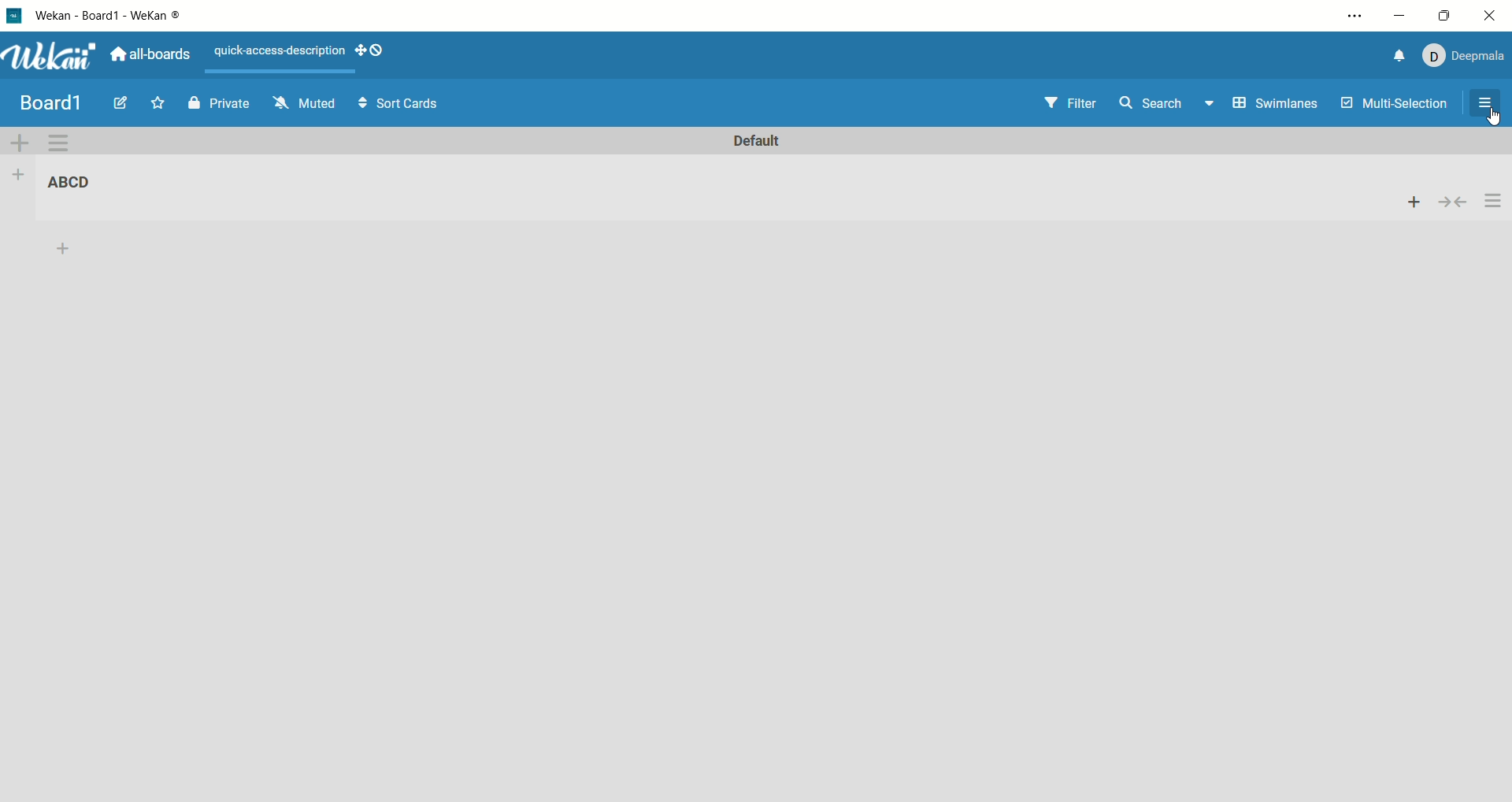 The height and width of the screenshot is (802, 1512). What do you see at coordinates (399, 102) in the screenshot?
I see `sort cards` at bounding box center [399, 102].